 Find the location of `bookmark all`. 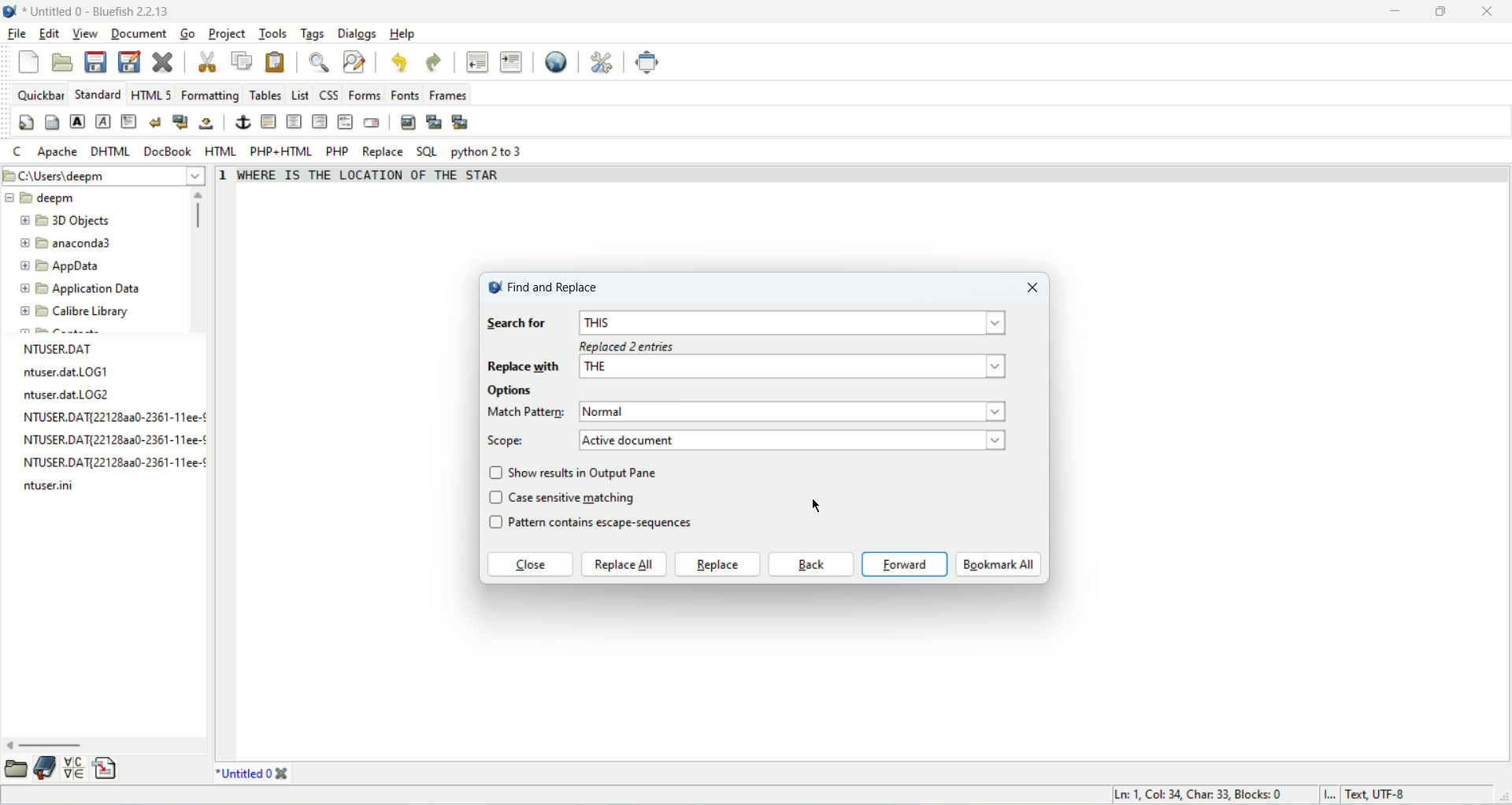

bookmark all is located at coordinates (999, 565).